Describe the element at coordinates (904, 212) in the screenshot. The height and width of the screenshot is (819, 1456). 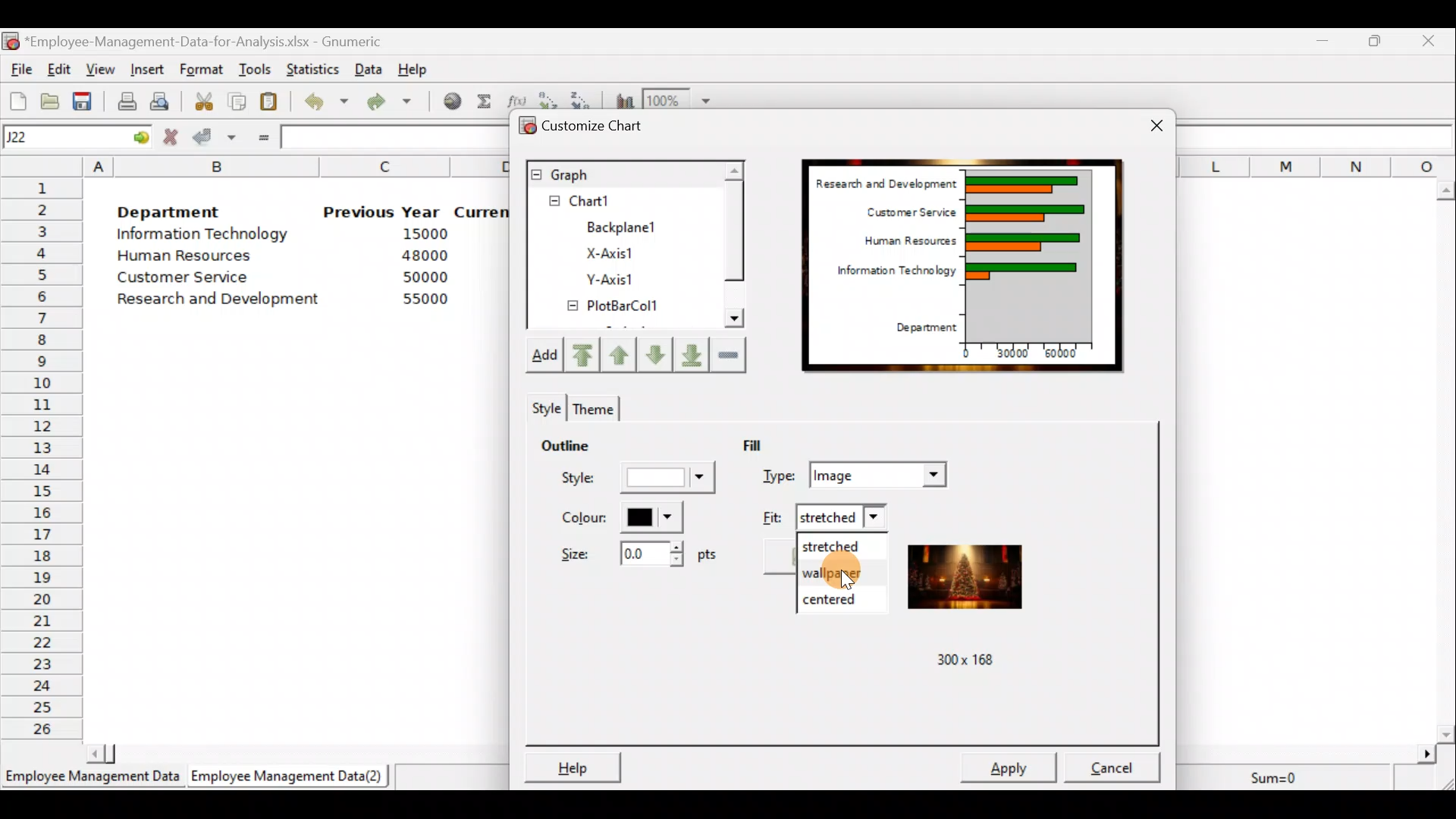
I see `Customer Service` at that location.